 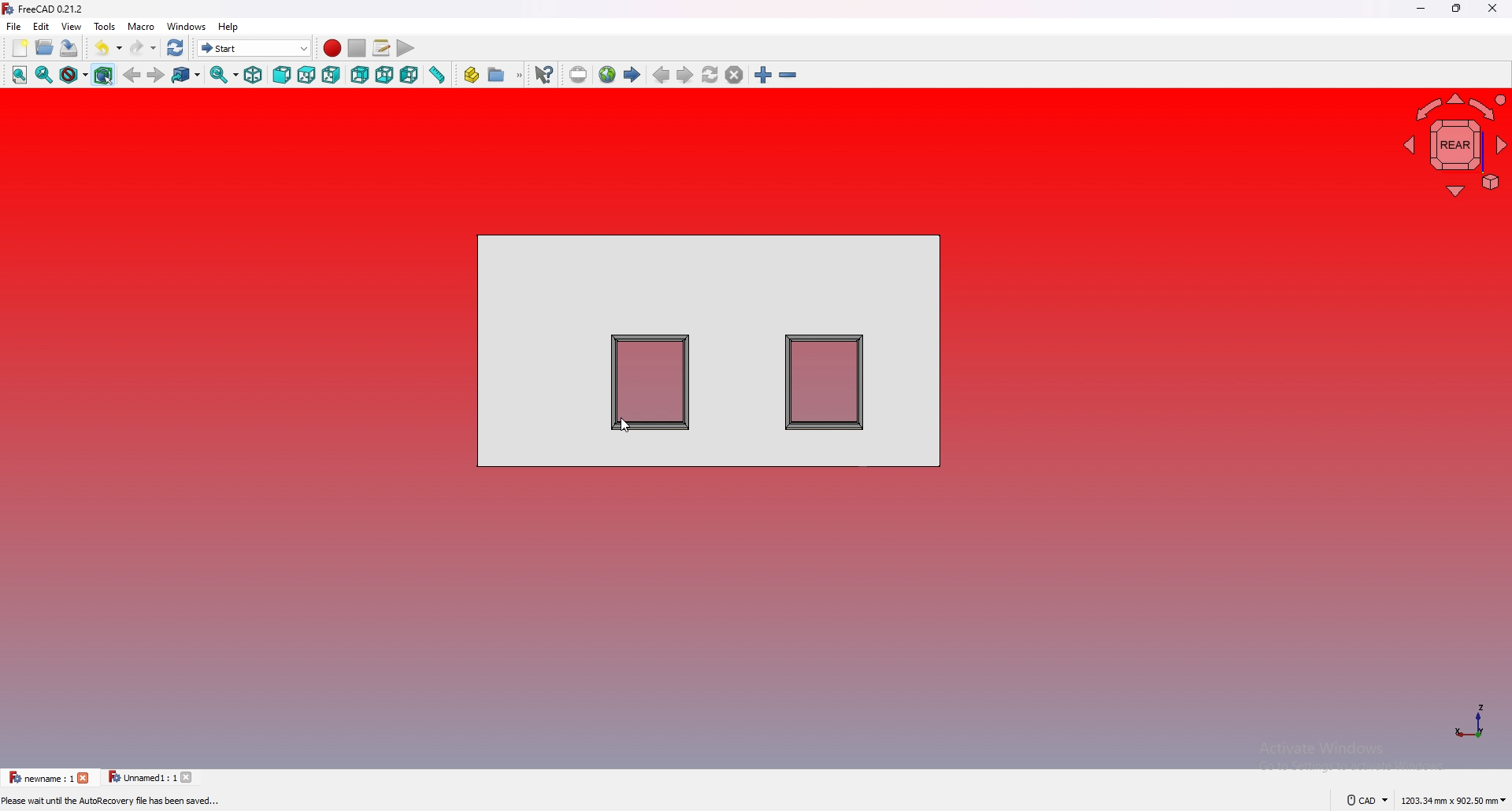 I want to click on cursor, so click(x=627, y=425).